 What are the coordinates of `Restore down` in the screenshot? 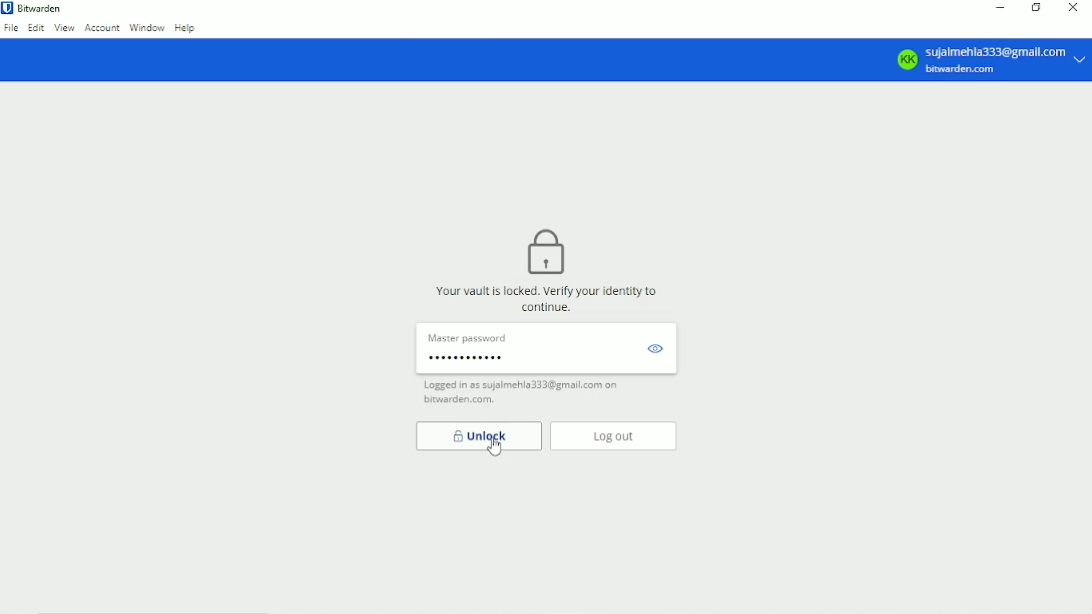 It's located at (1038, 7).